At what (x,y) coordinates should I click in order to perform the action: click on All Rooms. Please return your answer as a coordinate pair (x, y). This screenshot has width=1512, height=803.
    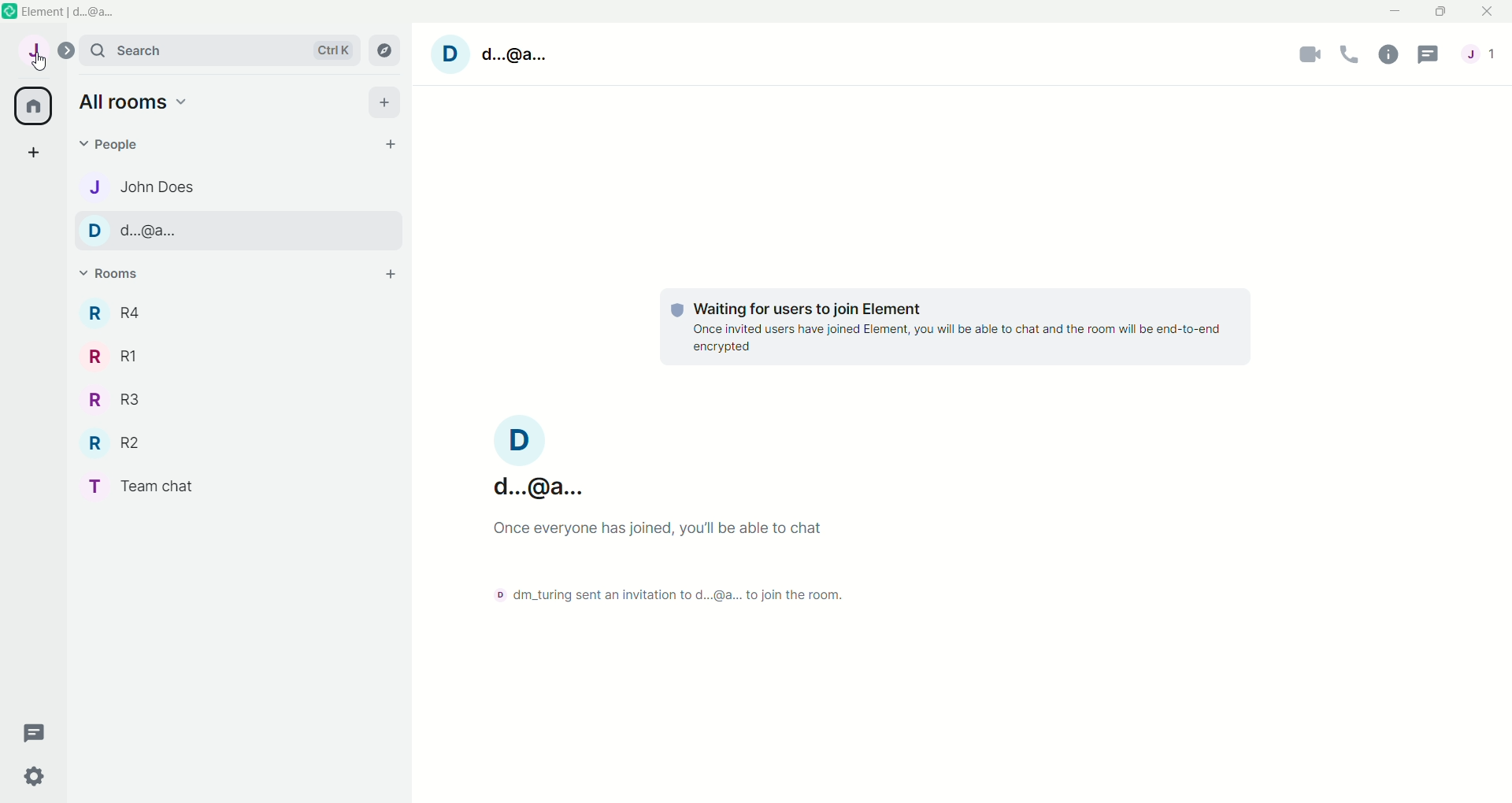
    Looking at the image, I should click on (31, 105).